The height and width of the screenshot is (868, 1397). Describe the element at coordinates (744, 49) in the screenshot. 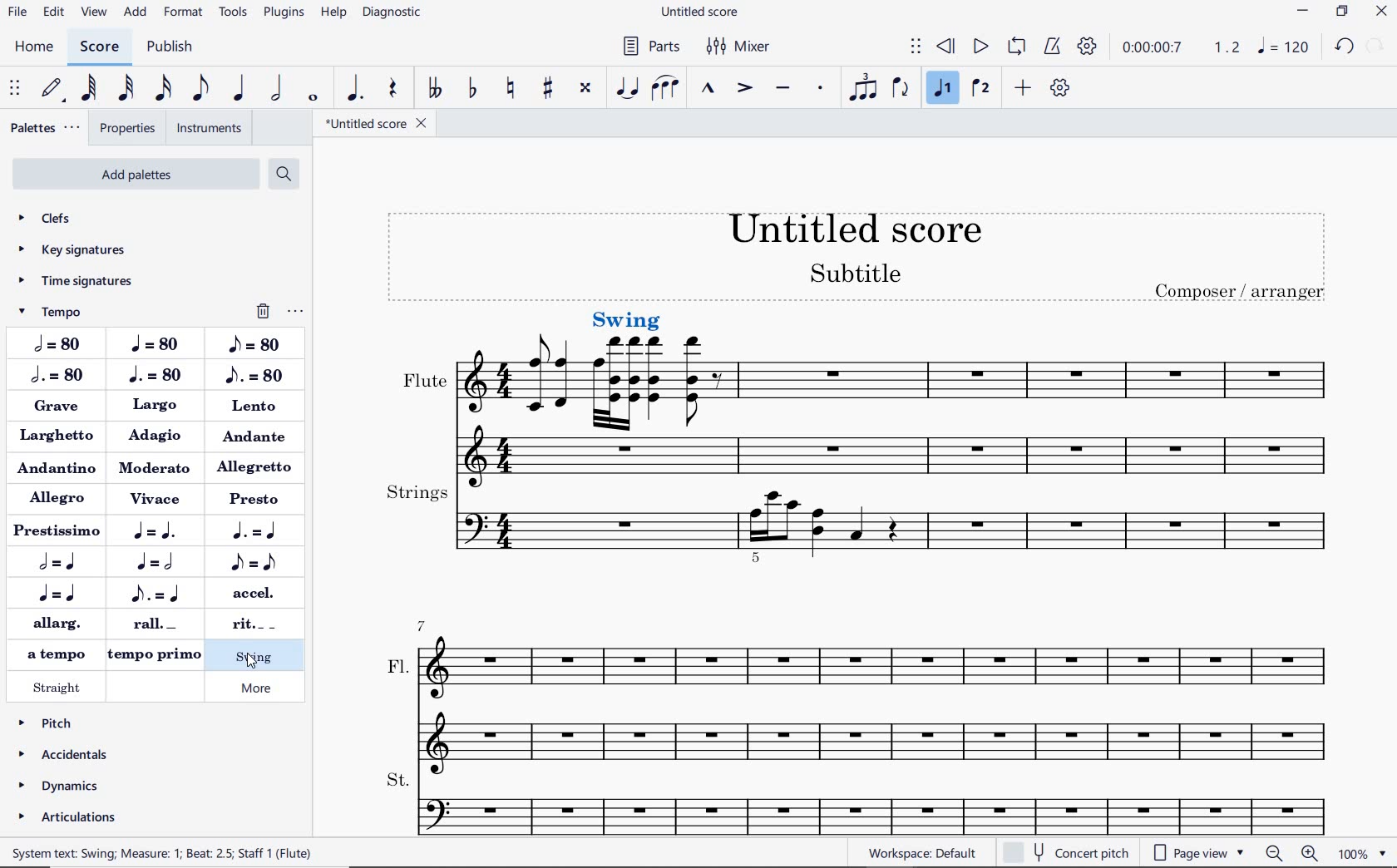

I see `MIXER` at that location.